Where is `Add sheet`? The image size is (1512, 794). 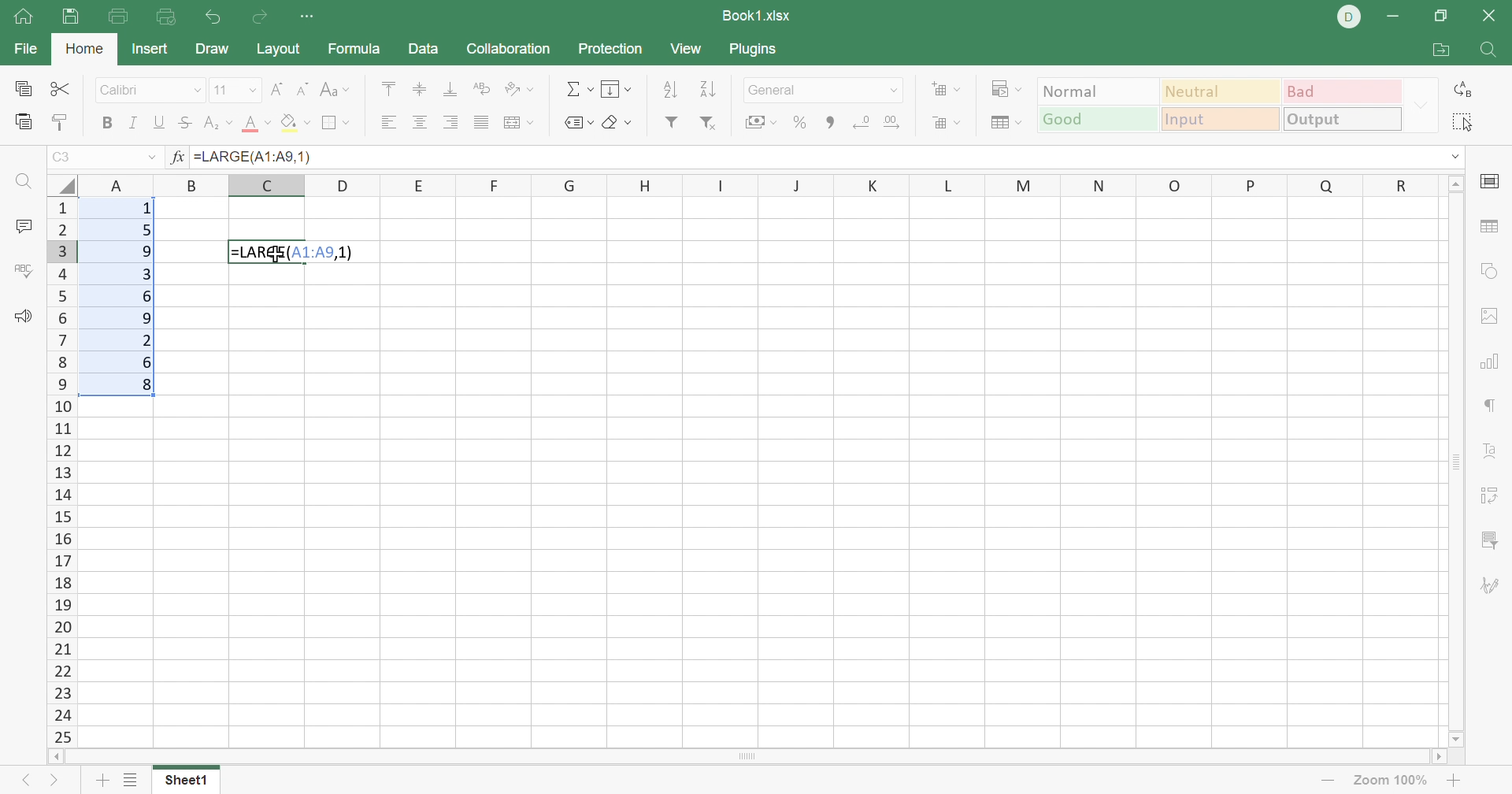 Add sheet is located at coordinates (100, 783).